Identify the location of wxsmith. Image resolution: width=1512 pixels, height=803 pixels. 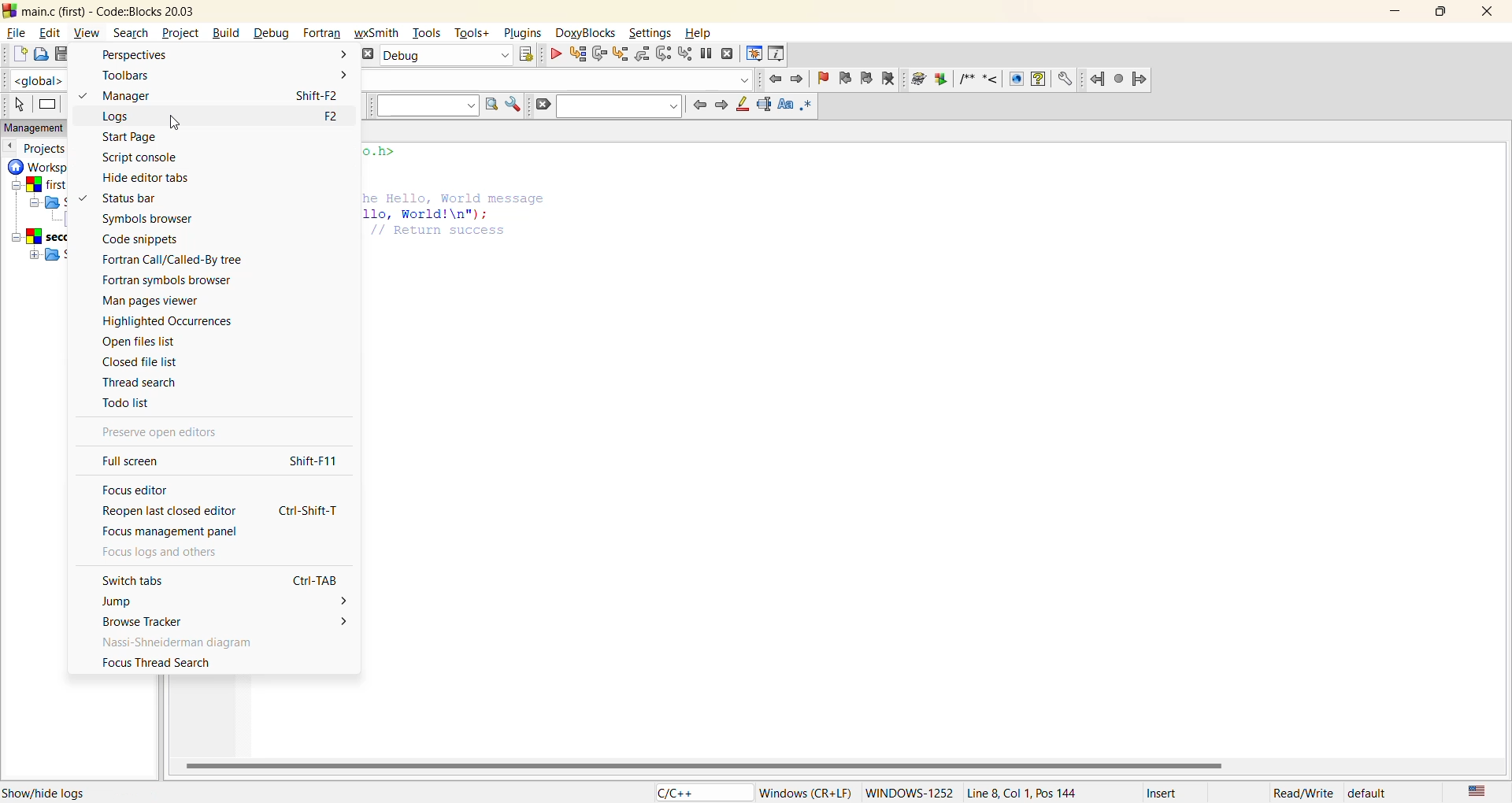
(378, 32).